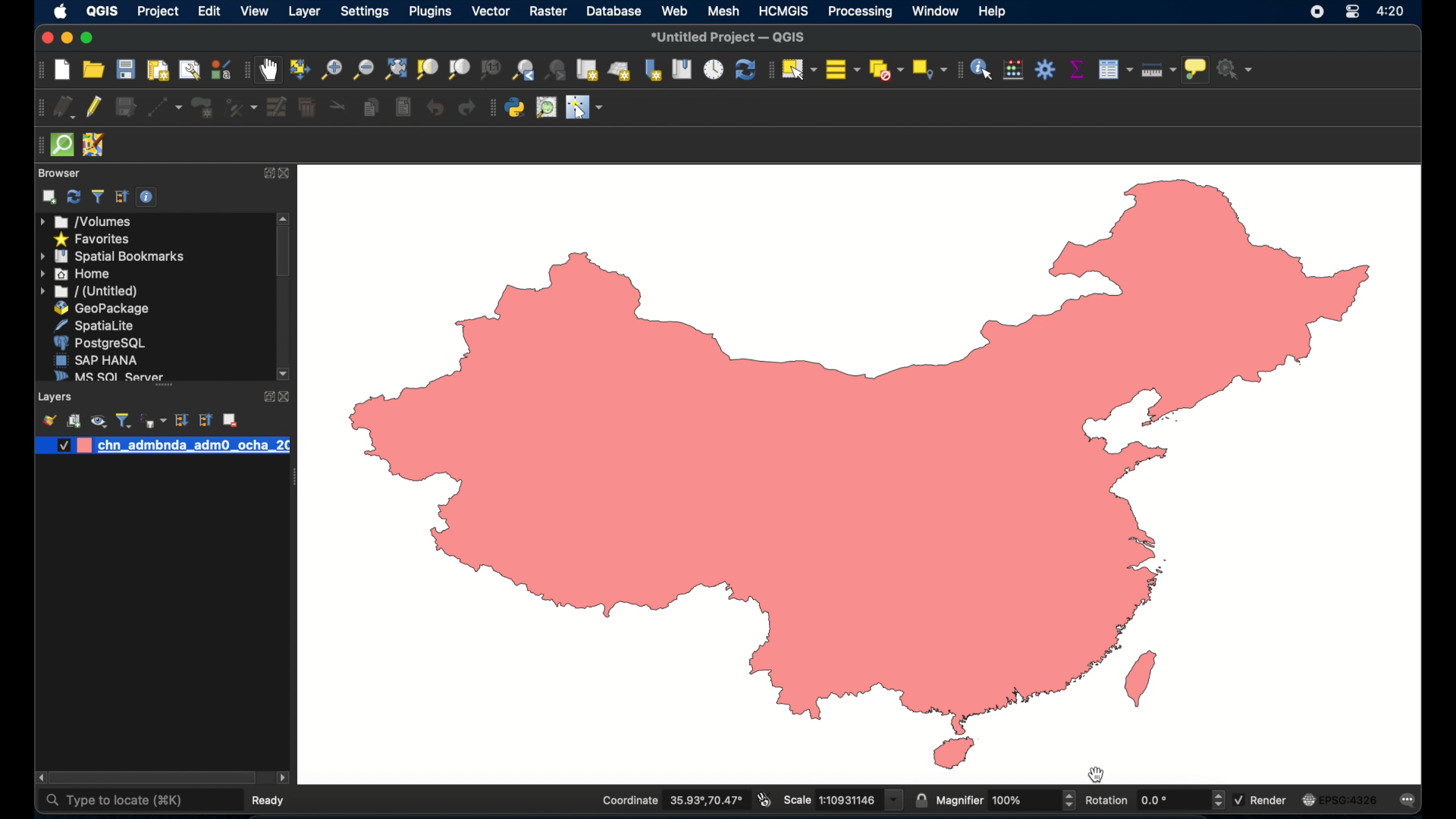  I want to click on spatial bookmarks, so click(113, 256).